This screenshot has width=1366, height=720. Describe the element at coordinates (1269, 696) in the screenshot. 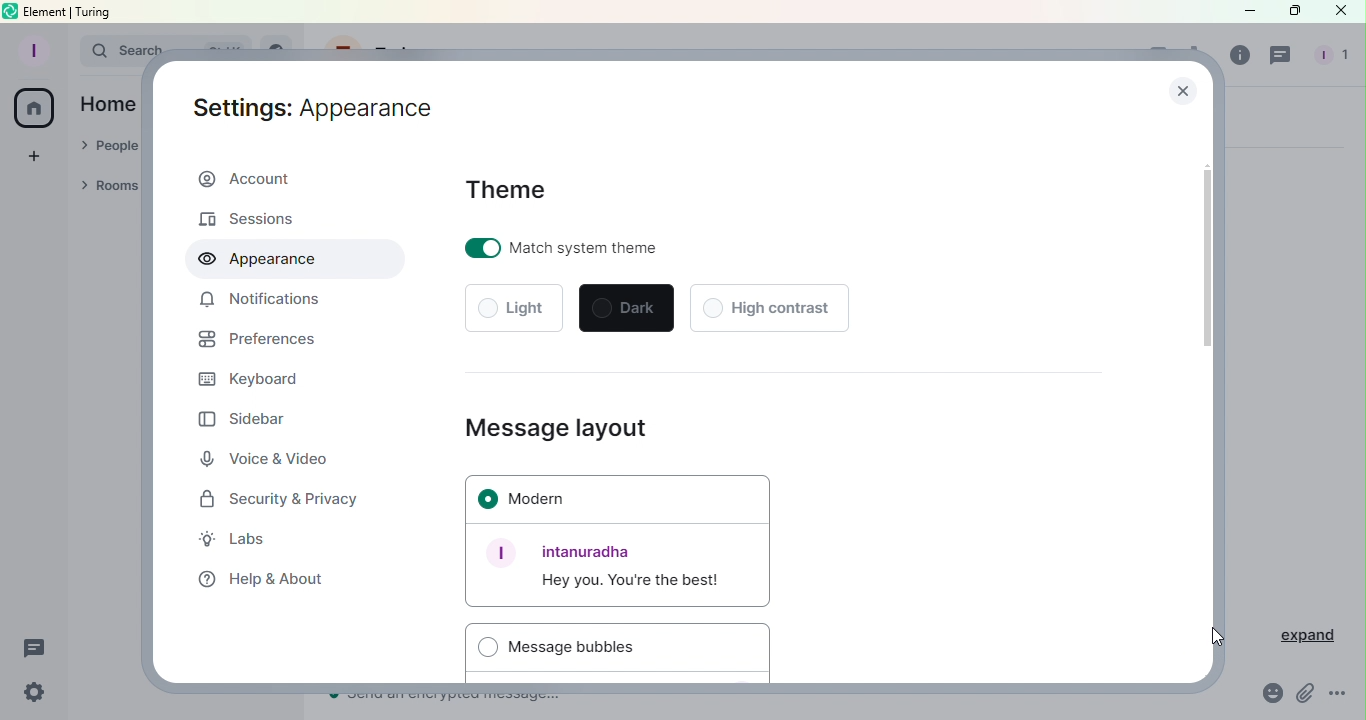

I see `Emoji` at that location.